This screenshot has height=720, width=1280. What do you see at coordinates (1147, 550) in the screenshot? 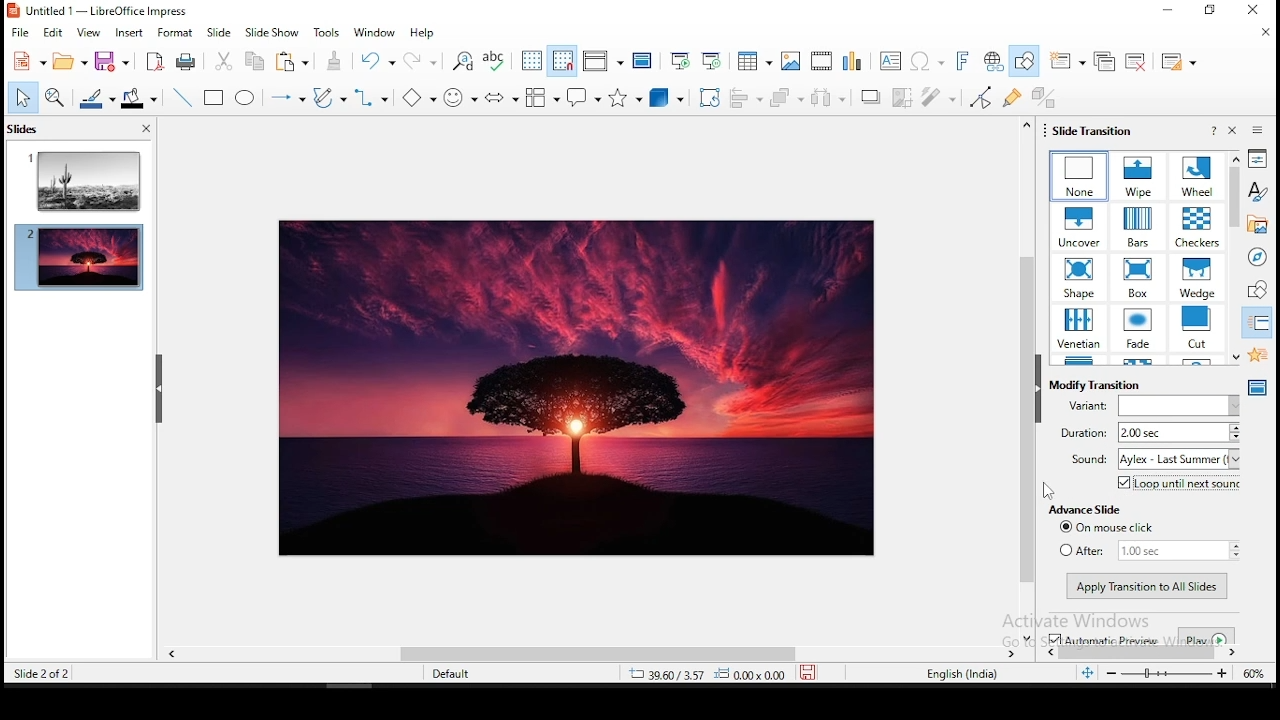
I see `after 1.00 sec` at bounding box center [1147, 550].